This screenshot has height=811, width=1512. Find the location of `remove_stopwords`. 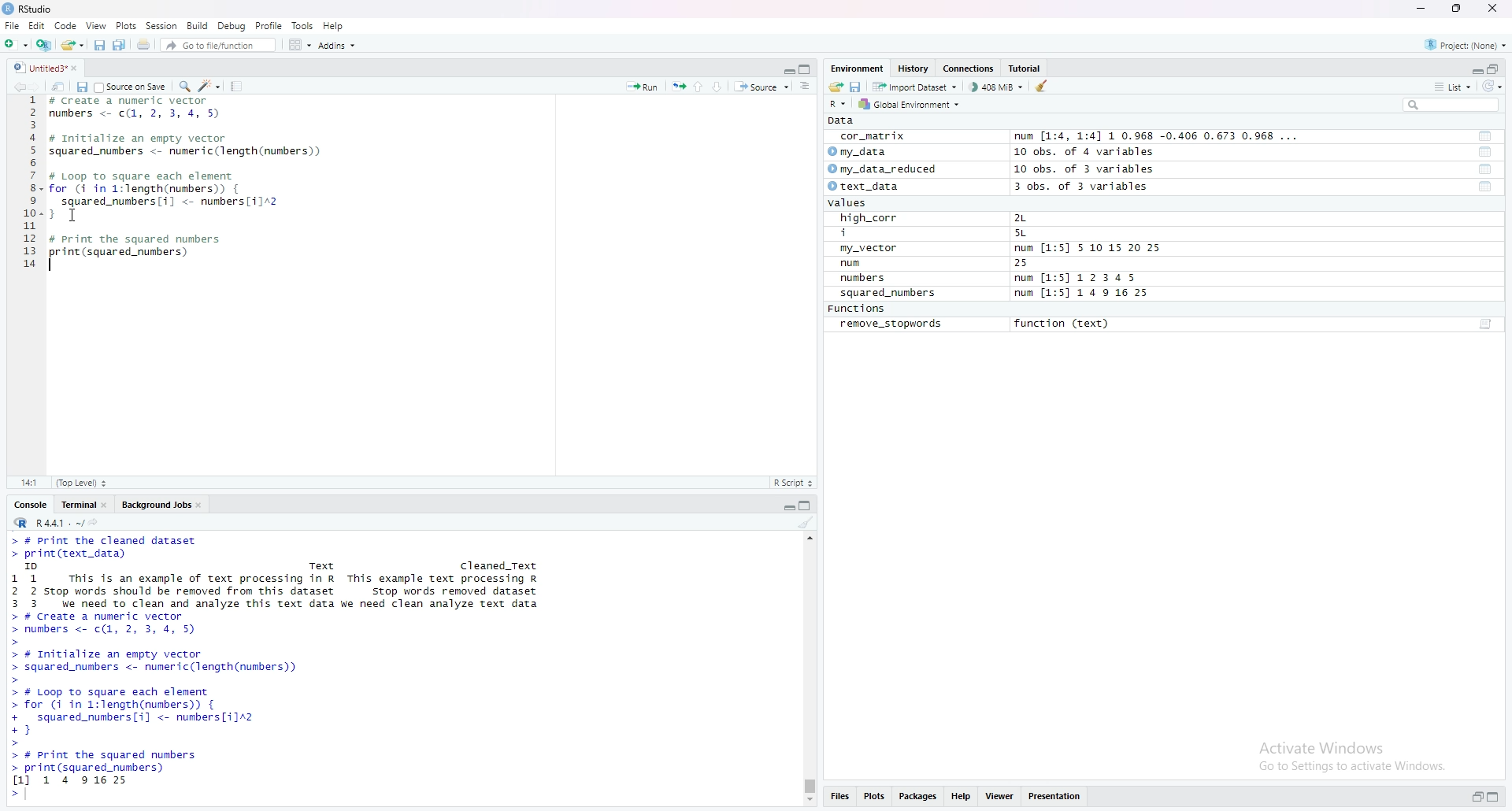

remove_stopwords is located at coordinates (891, 324).